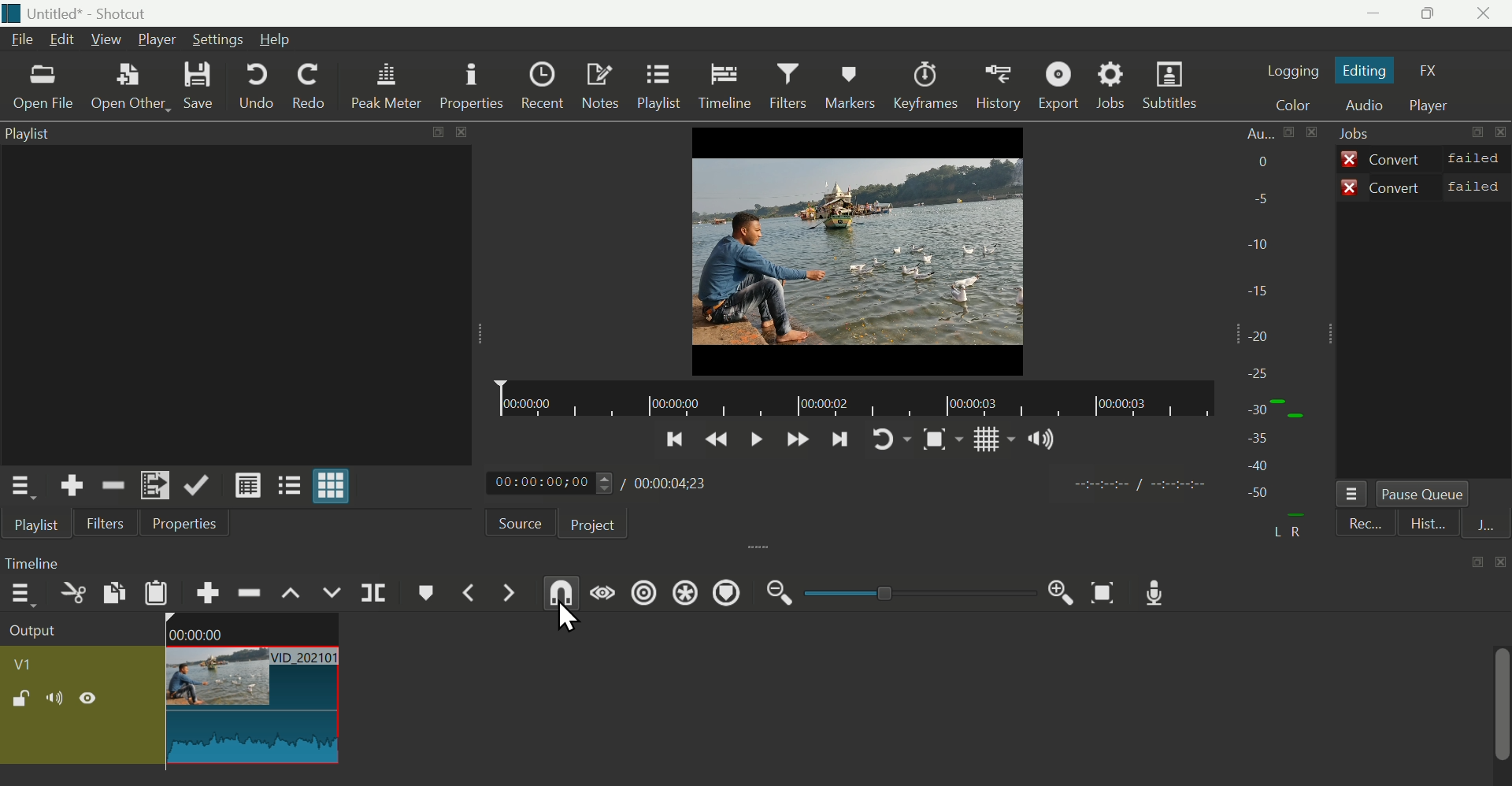 The height and width of the screenshot is (786, 1512). What do you see at coordinates (939, 442) in the screenshot?
I see `Snap` at bounding box center [939, 442].